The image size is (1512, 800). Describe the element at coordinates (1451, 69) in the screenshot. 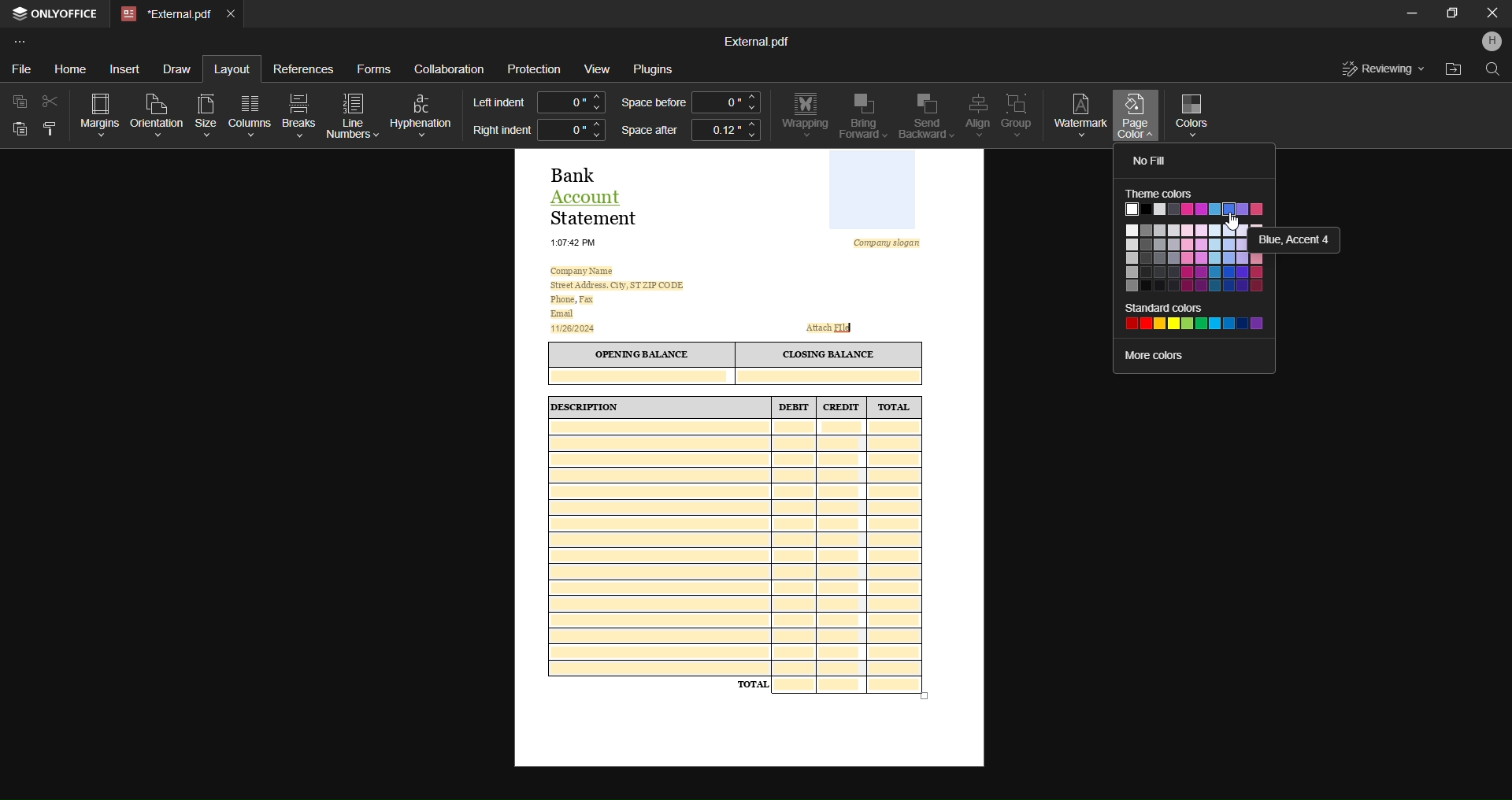

I see `Open File Location` at that location.